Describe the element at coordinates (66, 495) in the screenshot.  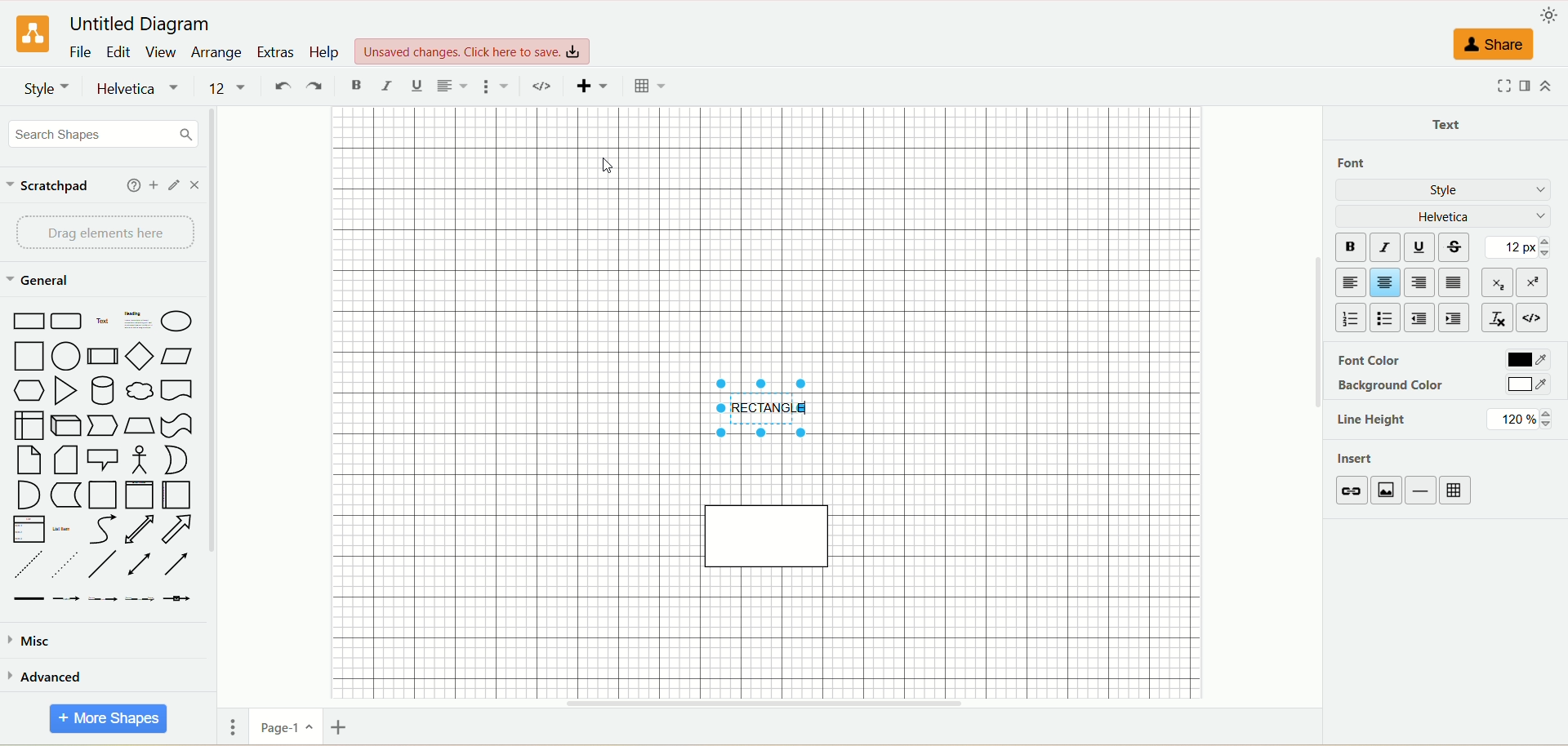
I see `storage` at that location.